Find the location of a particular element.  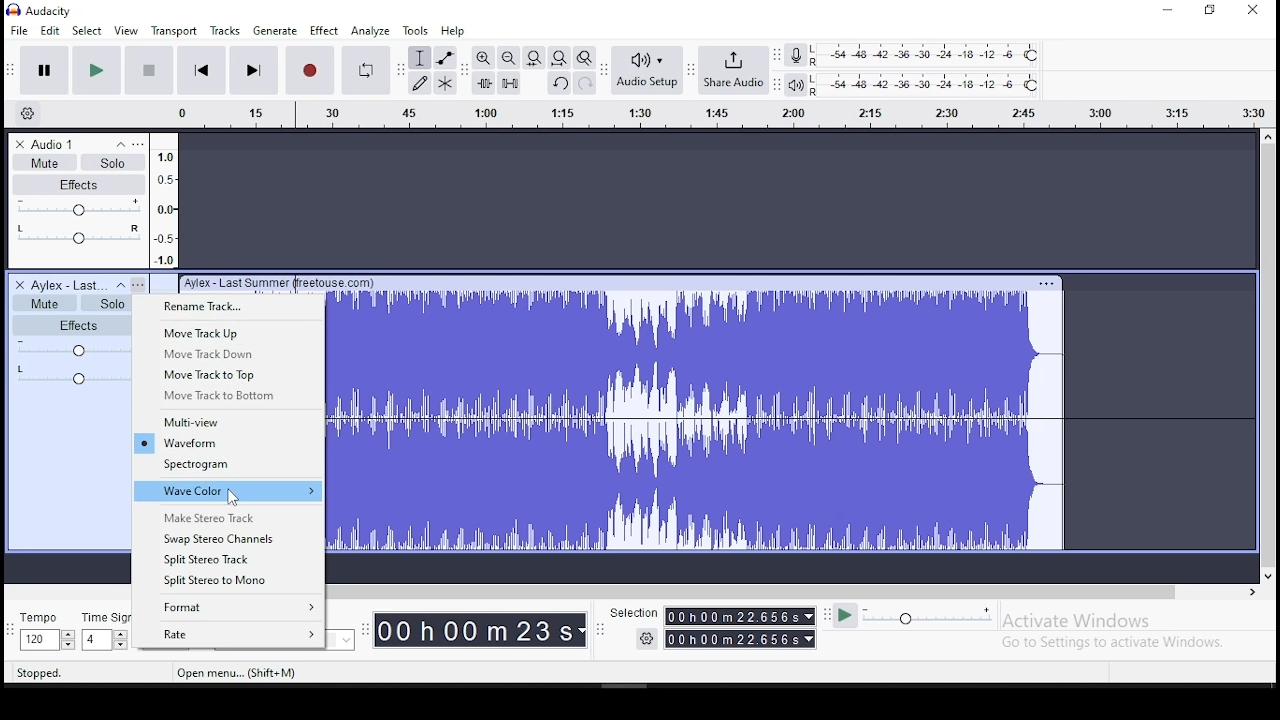

open menu is located at coordinates (698, 116).